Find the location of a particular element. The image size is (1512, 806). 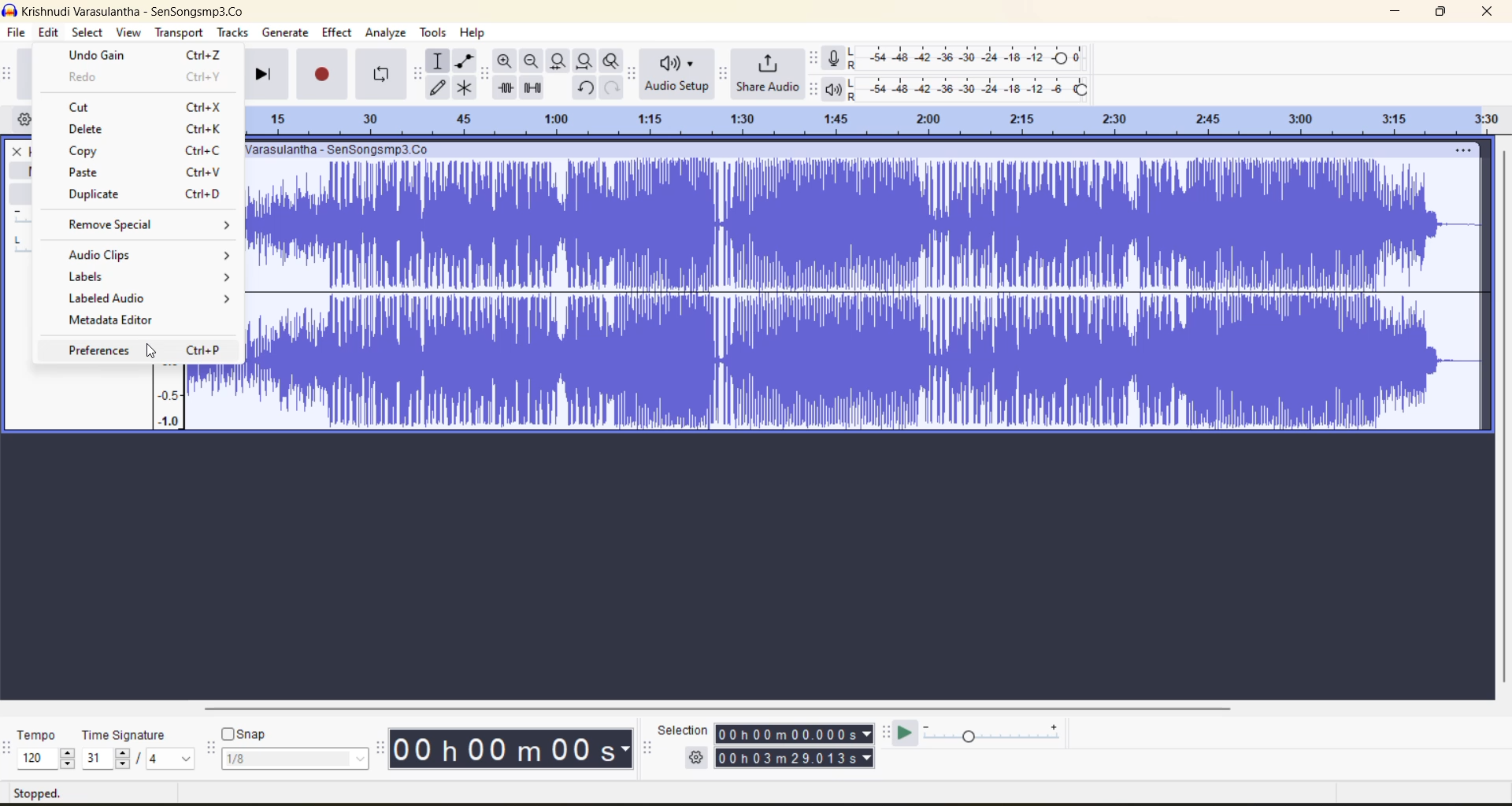

recording level is located at coordinates (968, 58).